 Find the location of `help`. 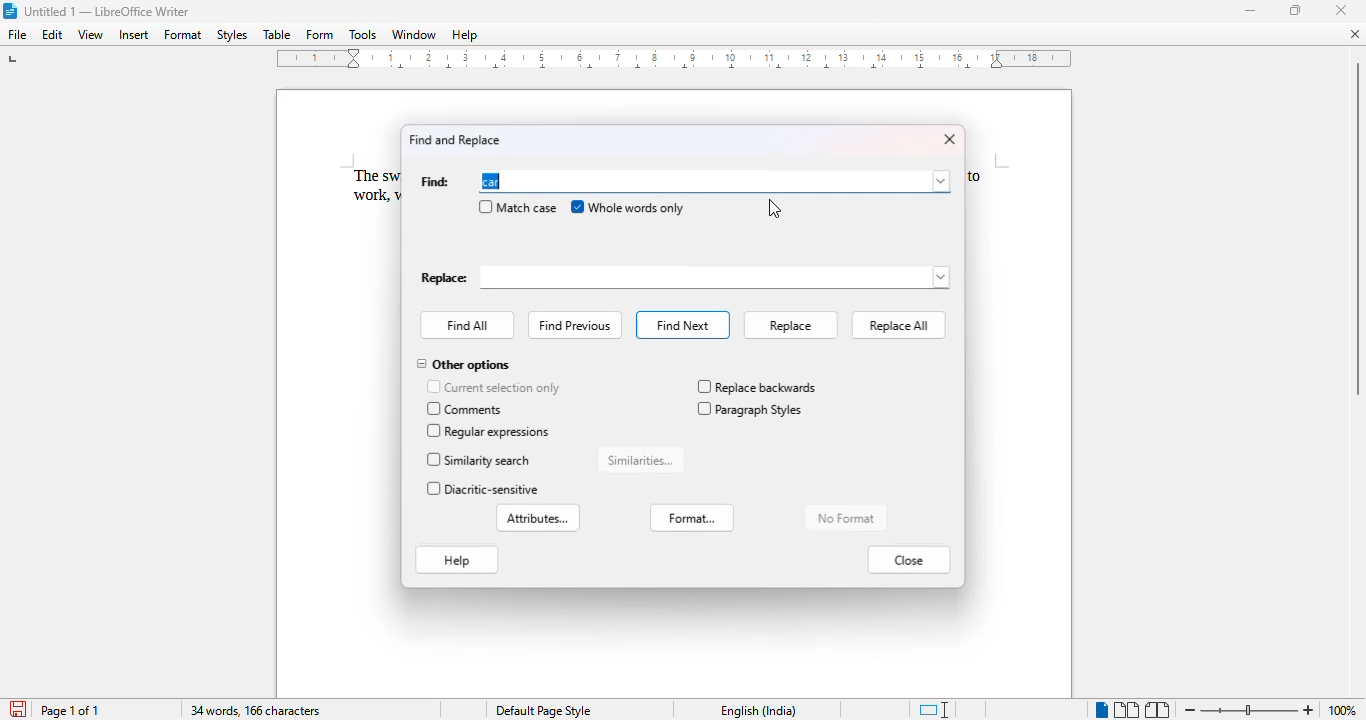

help is located at coordinates (464, 35).